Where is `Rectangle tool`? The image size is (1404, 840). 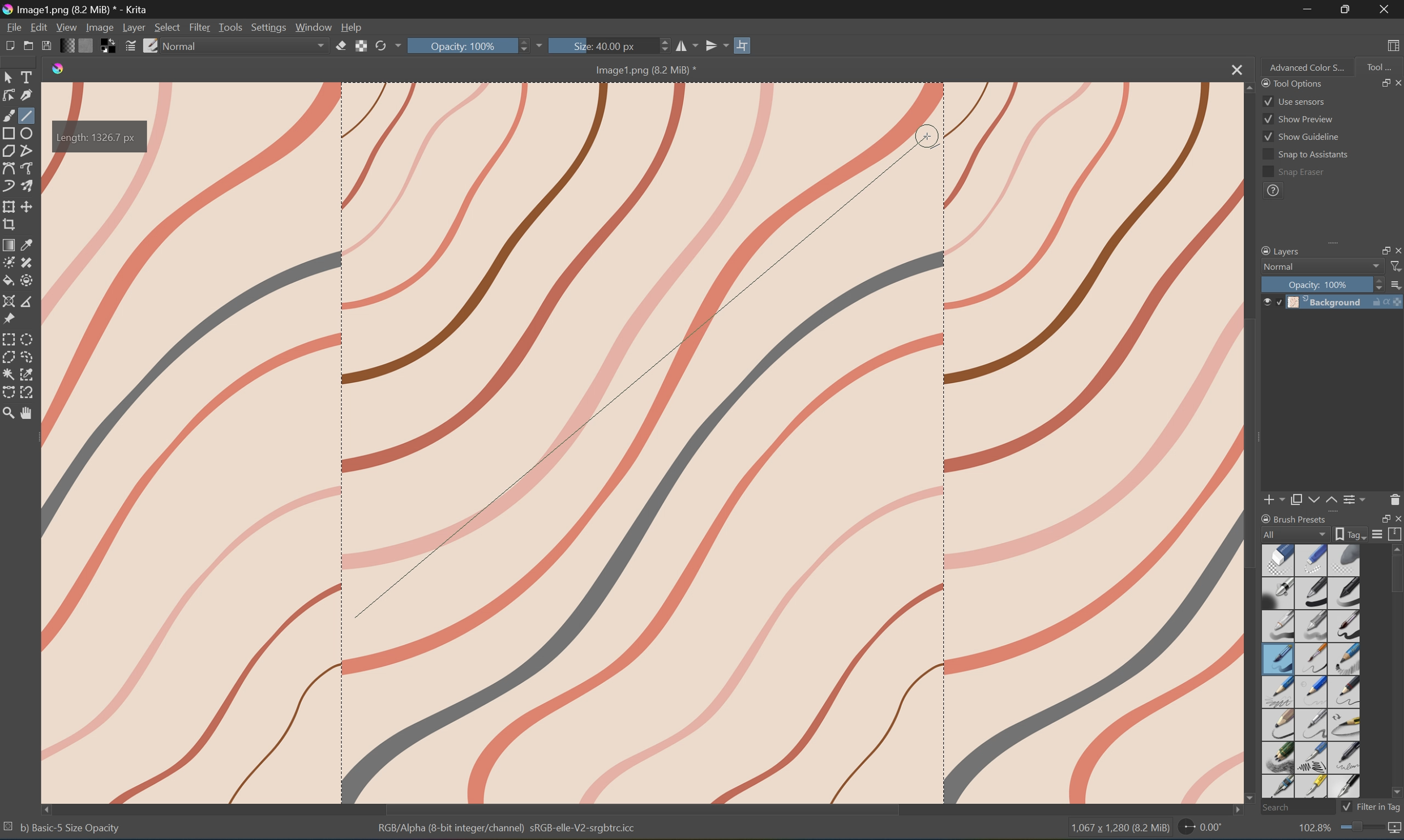
Rectangle tool is located at coordinates (9, 133).